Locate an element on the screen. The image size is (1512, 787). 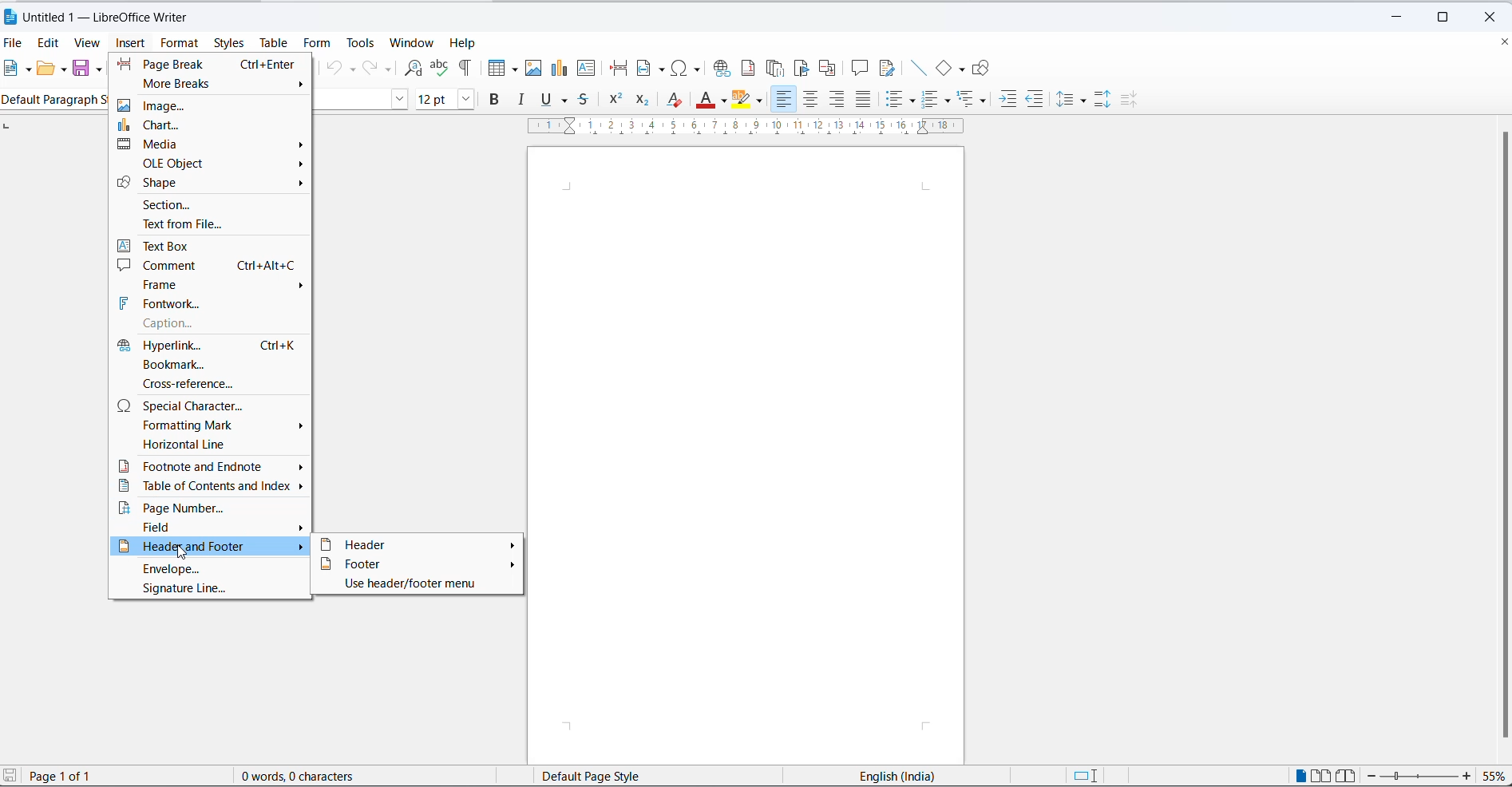
insert comments is located at coordinates (860, 69).